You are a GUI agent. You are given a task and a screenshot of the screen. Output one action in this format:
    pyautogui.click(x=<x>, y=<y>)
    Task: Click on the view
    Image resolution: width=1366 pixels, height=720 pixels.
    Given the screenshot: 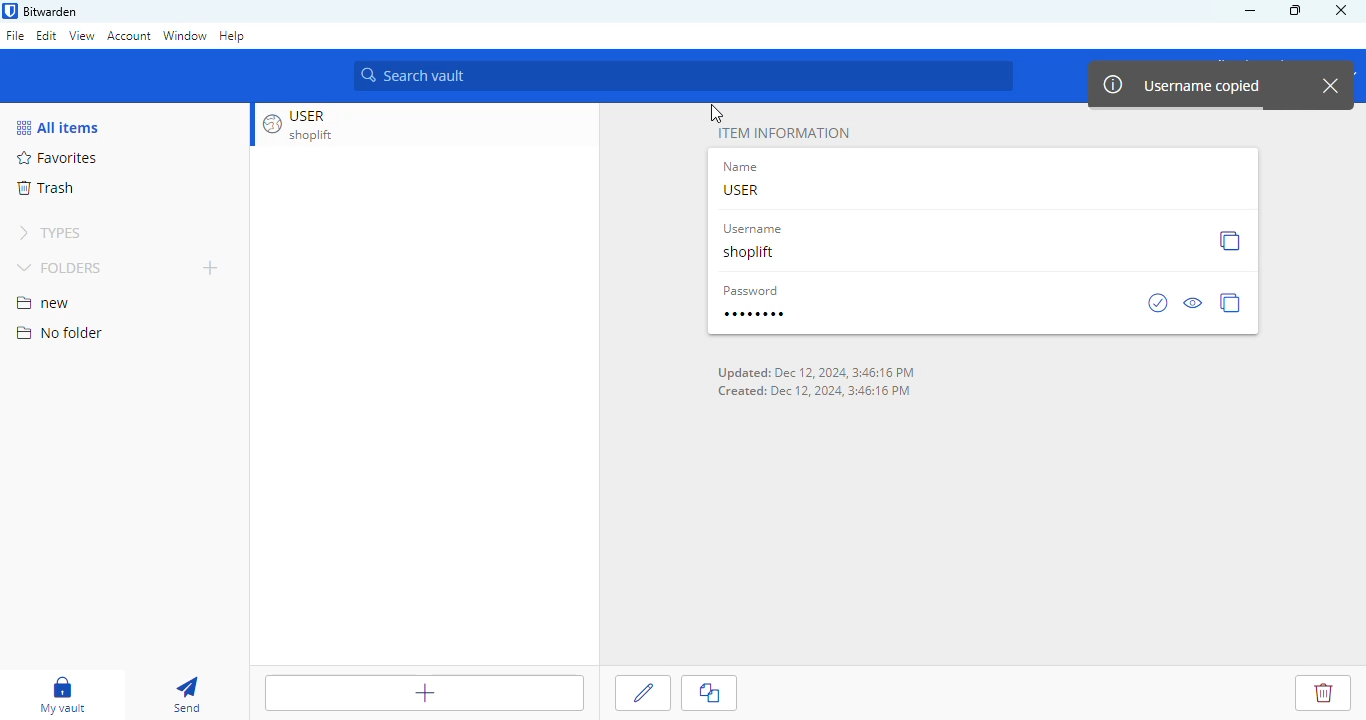 What is the action you would take?
    pyautogui.click(x=81, y=35)
    